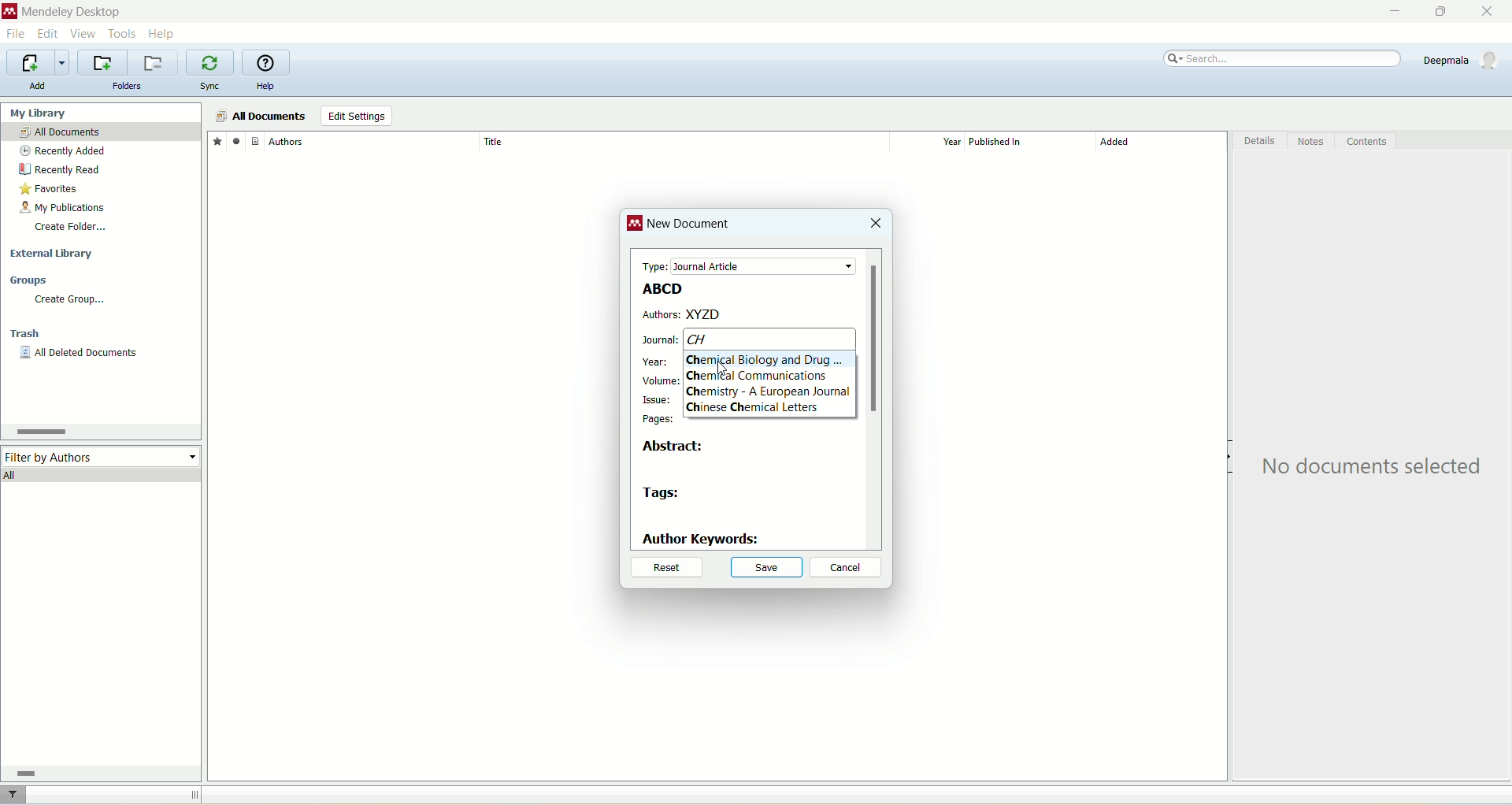  Describe the element at coordinates (1392, 12) in the screenshot. I see `minimize` at that location.